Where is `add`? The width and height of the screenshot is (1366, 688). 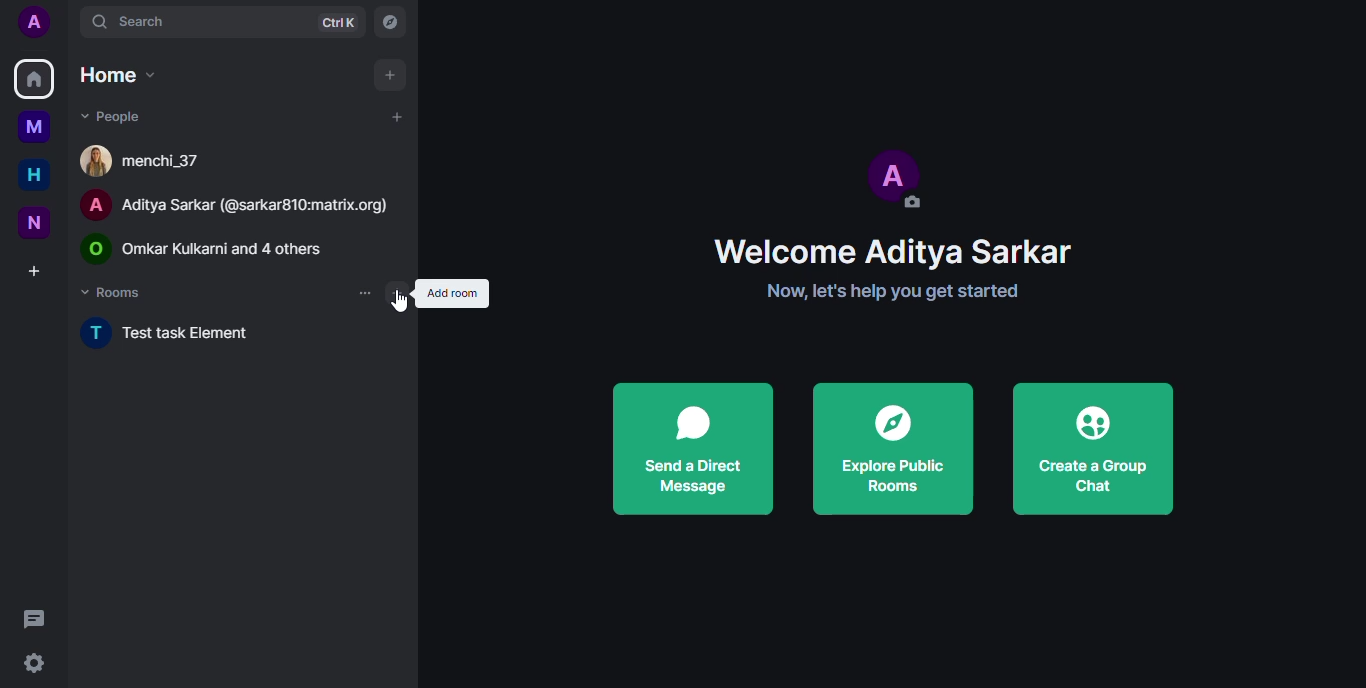
add is located at coordinates (397, 294).